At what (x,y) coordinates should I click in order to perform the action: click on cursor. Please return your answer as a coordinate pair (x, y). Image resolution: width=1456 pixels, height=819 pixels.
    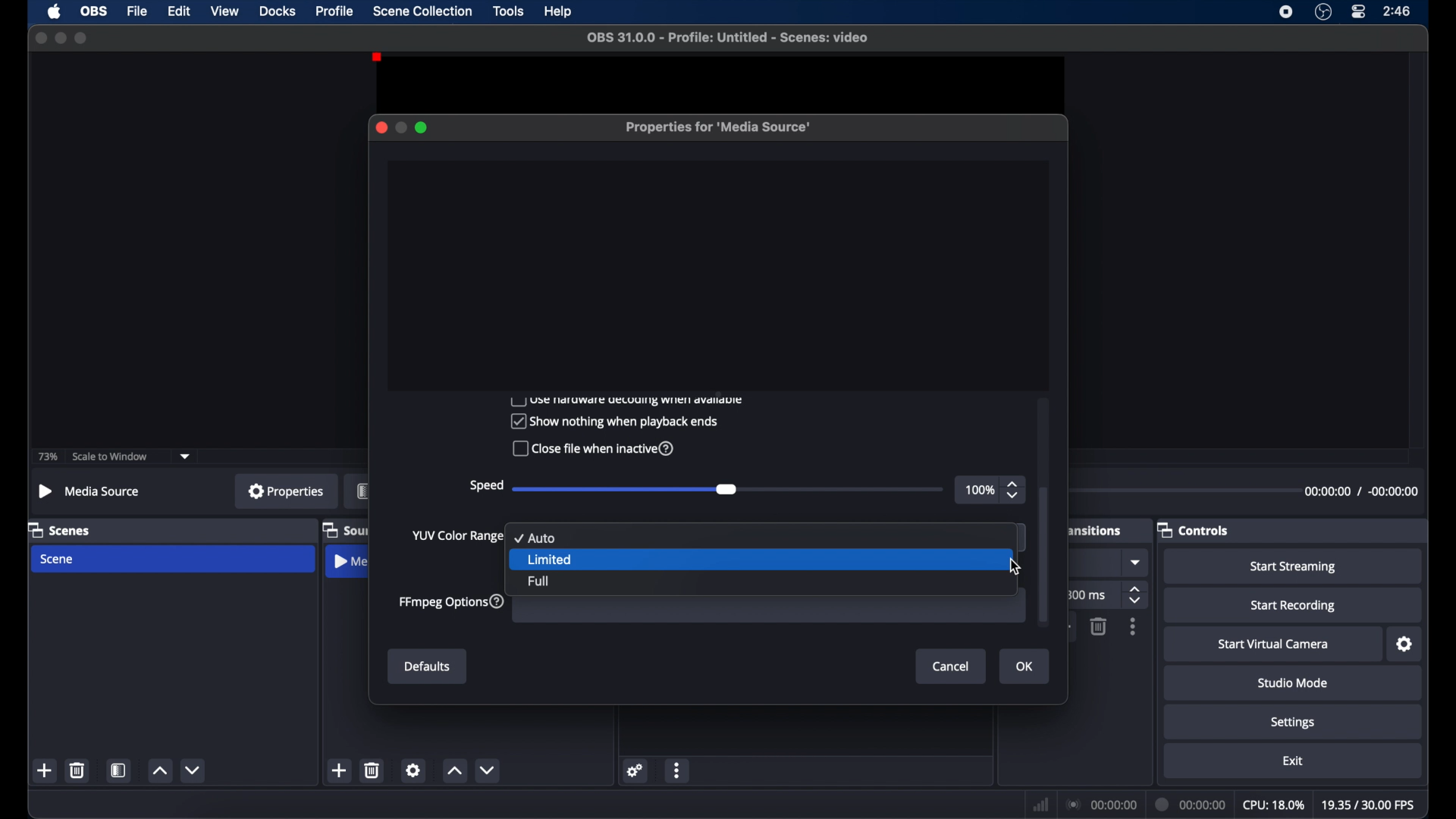
    Looking at the image, I should click on (1015, 567).